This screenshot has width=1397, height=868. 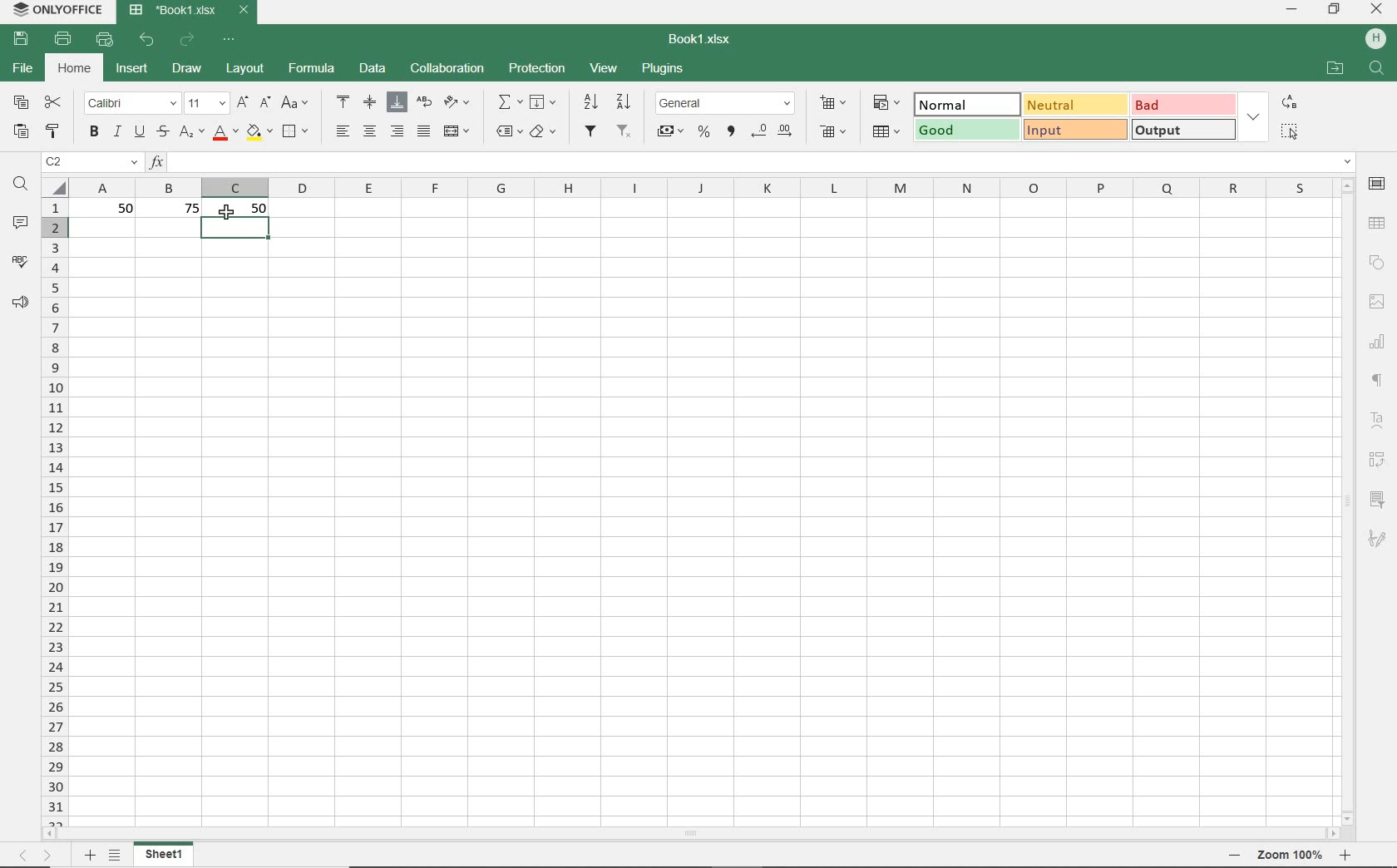 I want to click on percent style, so click(x=705, y=133).